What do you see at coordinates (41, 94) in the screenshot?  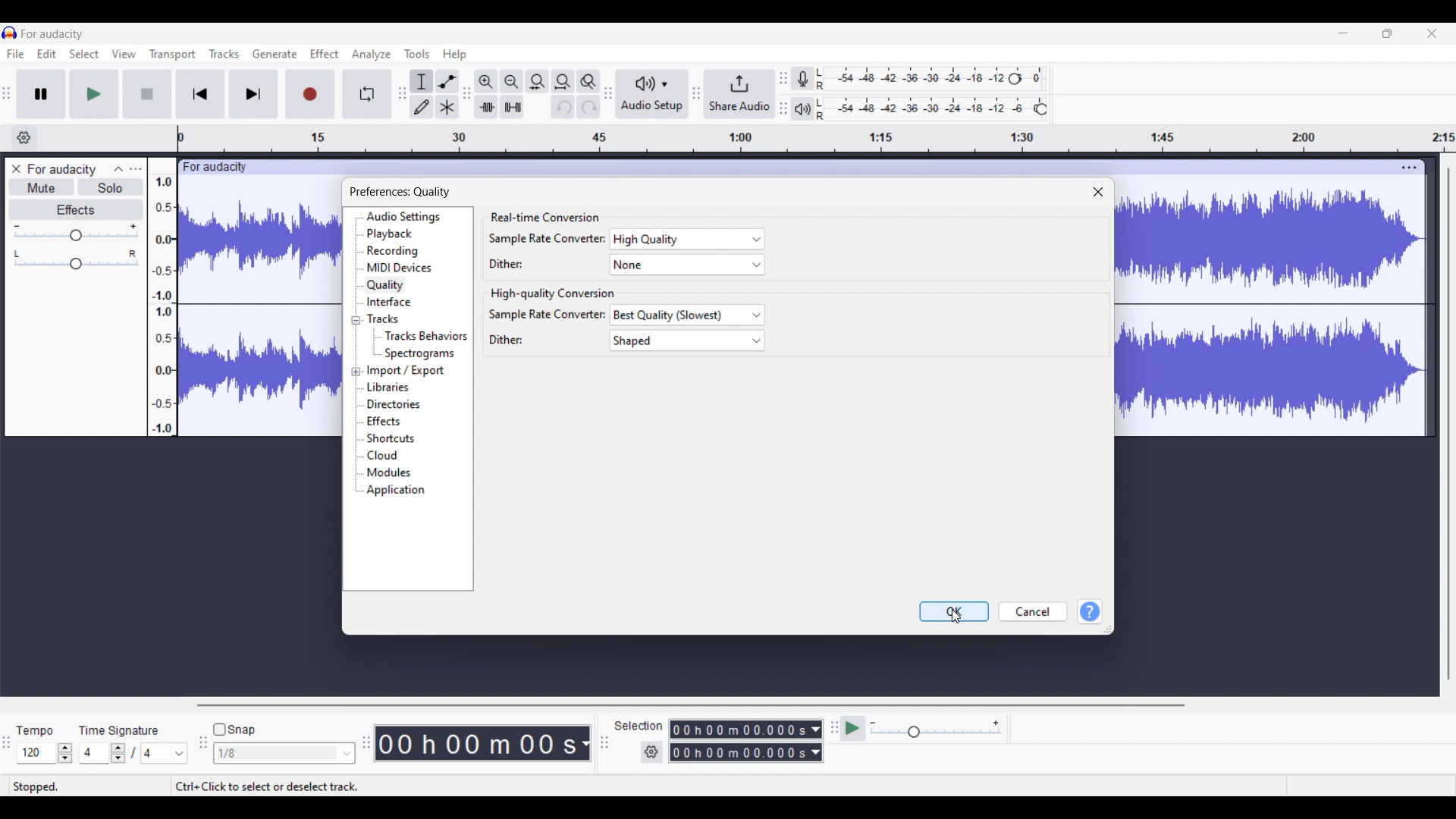 I see `Pause` at bounding box center [41, 94].